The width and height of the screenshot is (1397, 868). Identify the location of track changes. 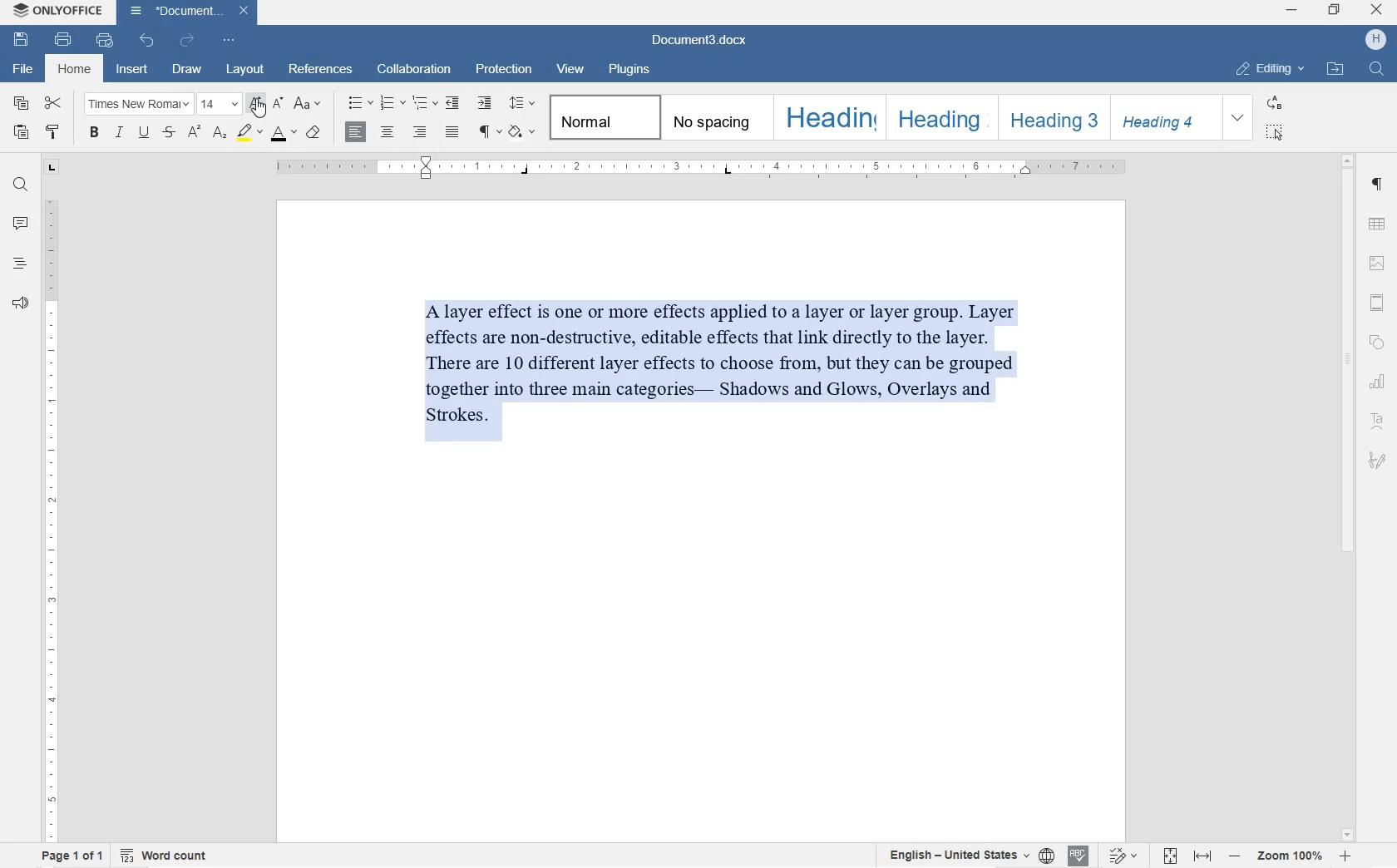
(1125, 856).